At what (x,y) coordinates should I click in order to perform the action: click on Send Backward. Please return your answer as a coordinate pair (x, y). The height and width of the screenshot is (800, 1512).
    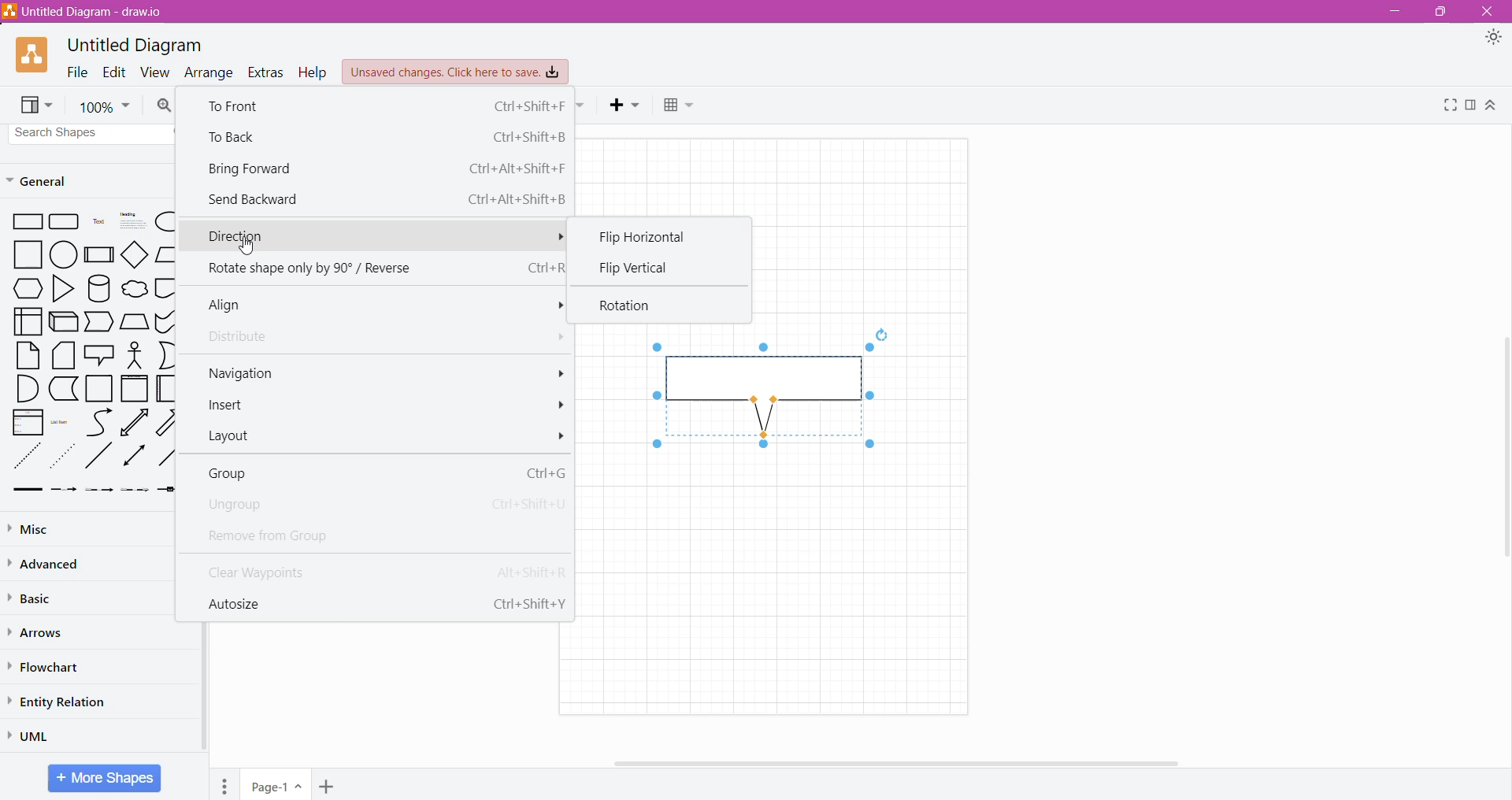
    Looking at the image, I should click on (385, 198).